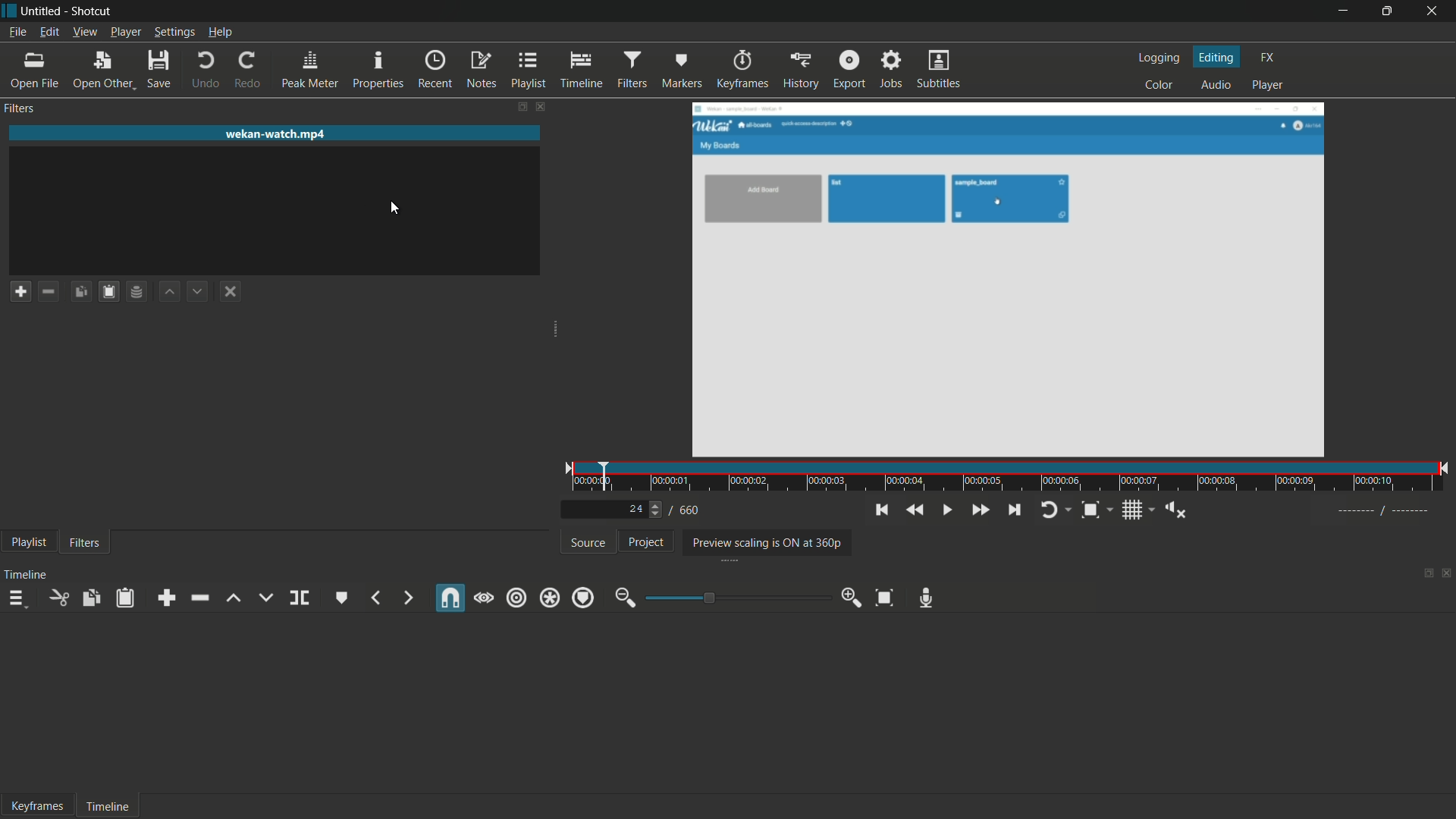 This screenshot has width=1456, height=819. Describe the element at coordinates (394, 209) in the screenshot. I see `cursor` at that location.